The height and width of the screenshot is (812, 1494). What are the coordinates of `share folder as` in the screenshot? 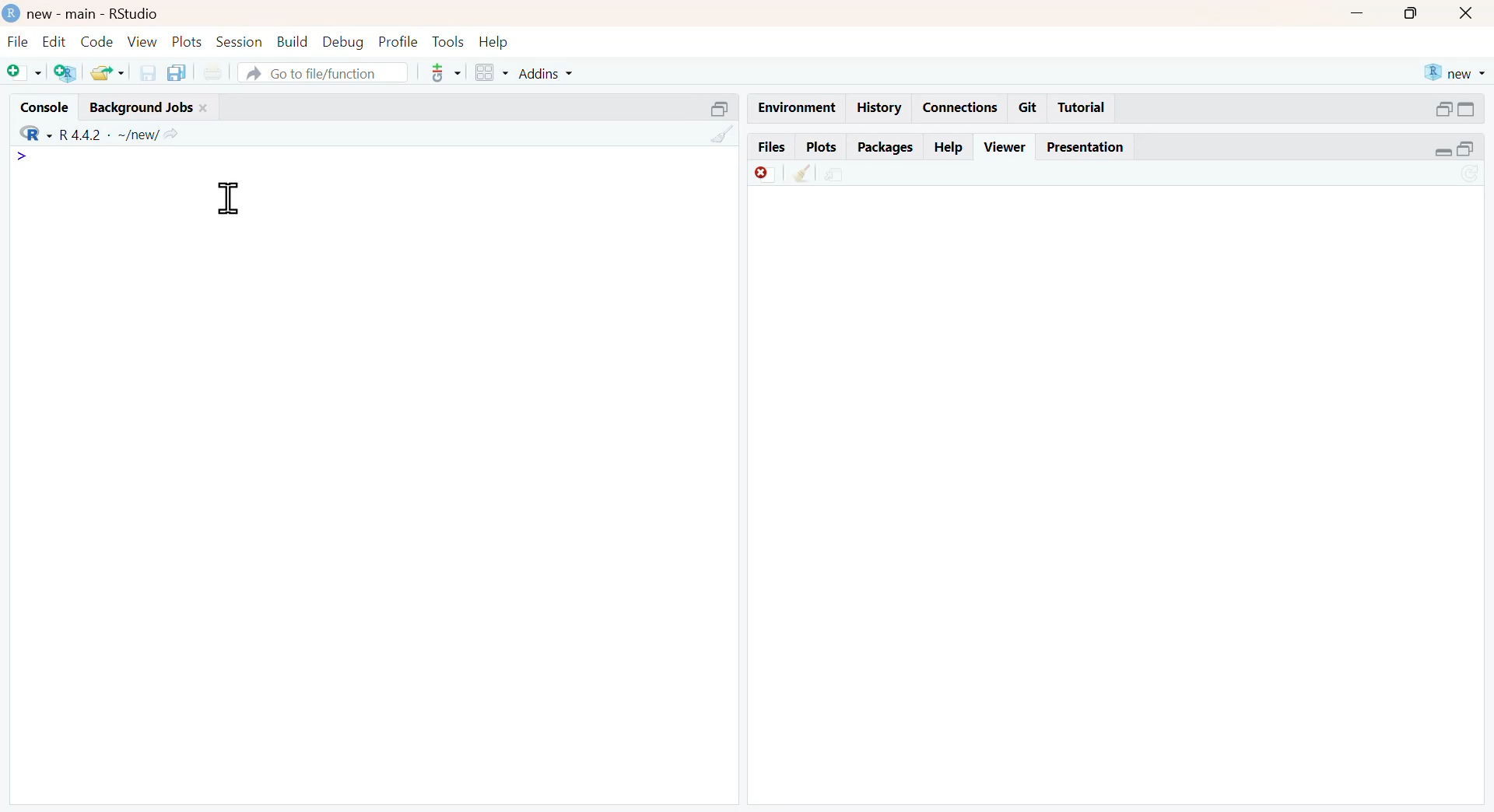 It's located at (109, 73).